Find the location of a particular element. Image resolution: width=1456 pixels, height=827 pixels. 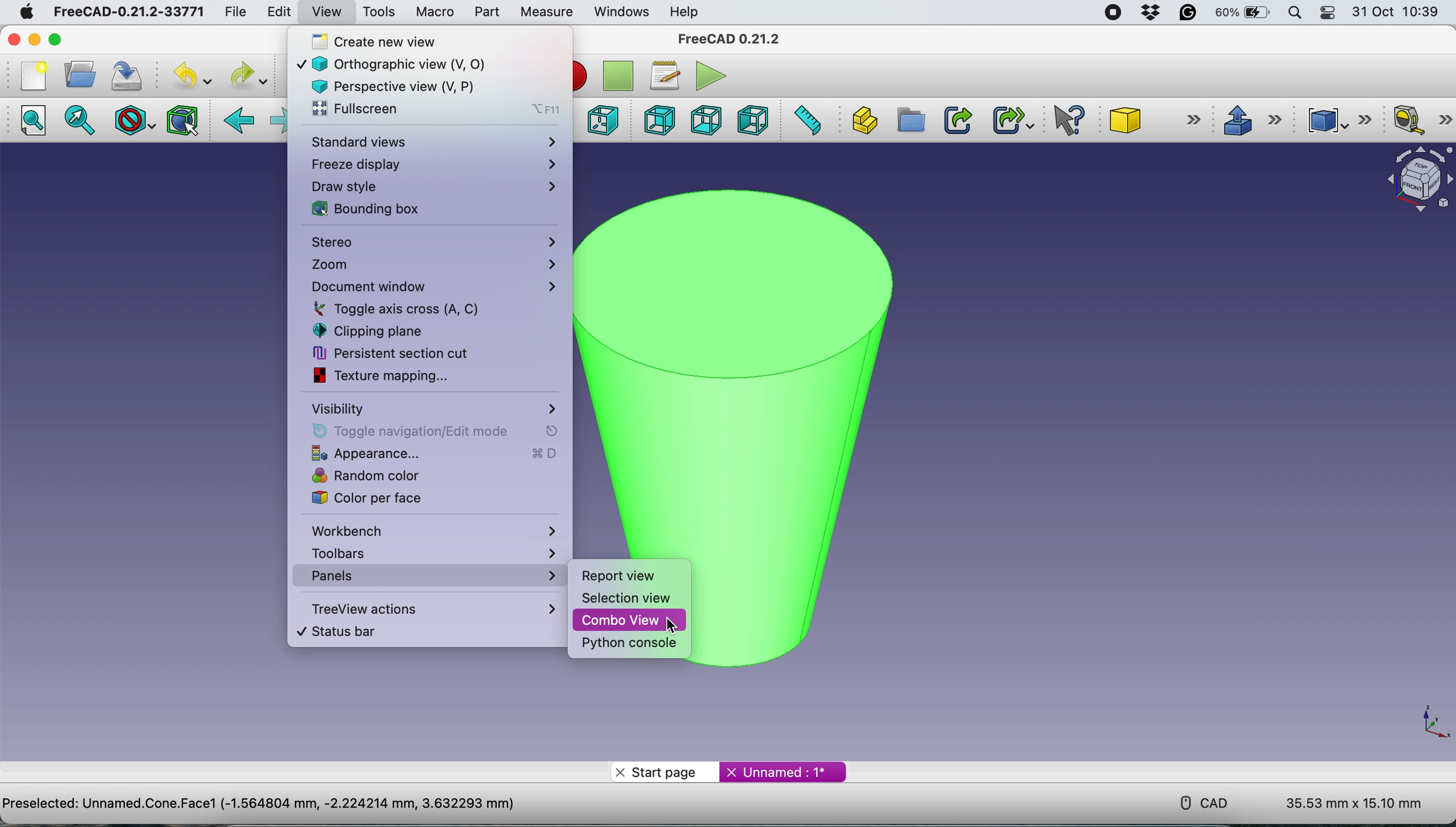

orthographic view (V,O) is located at coordinates (411, 62).